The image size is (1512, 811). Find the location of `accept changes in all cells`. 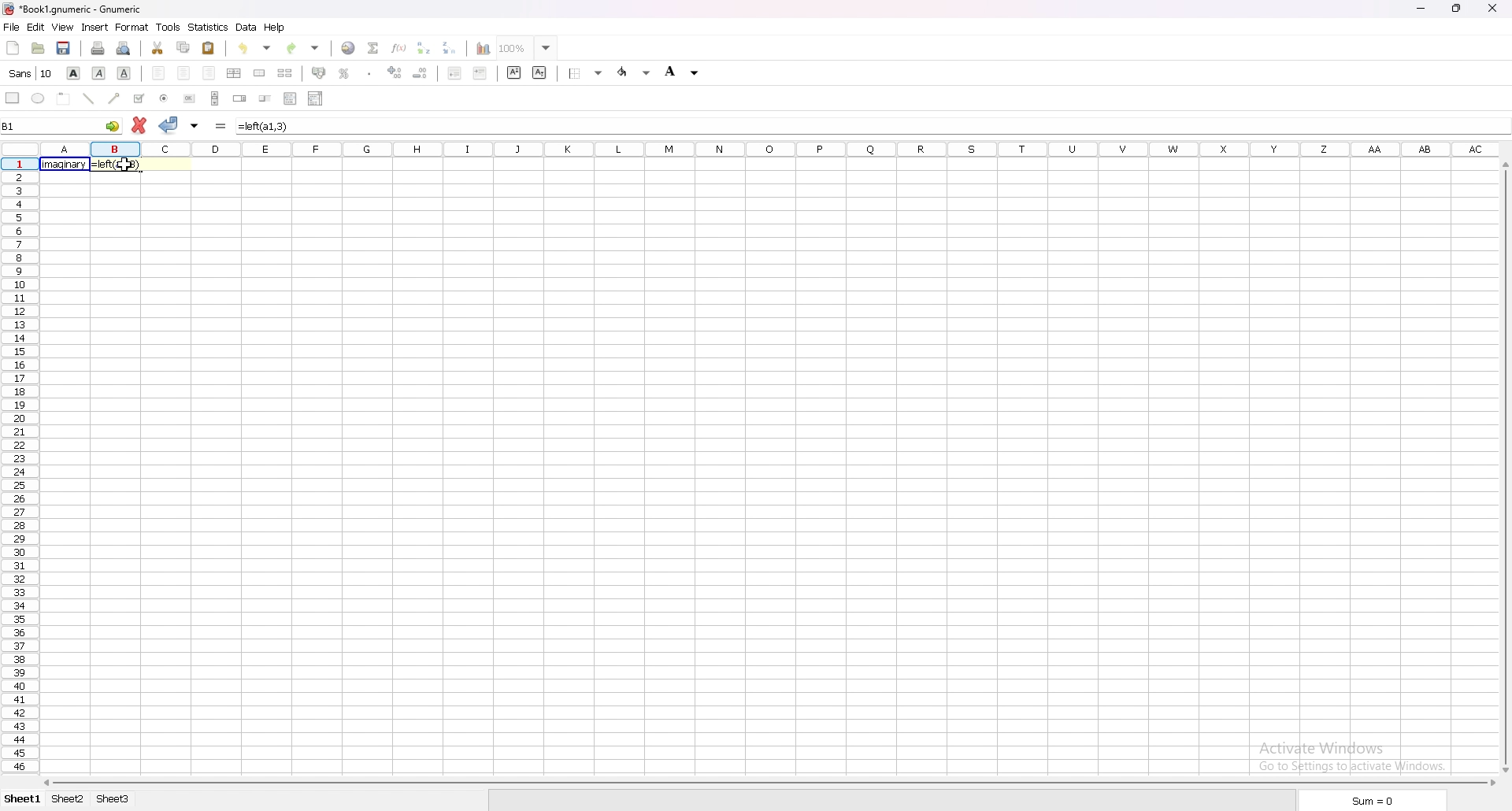

accept changes in all cells is located at coordinates (196, 125).